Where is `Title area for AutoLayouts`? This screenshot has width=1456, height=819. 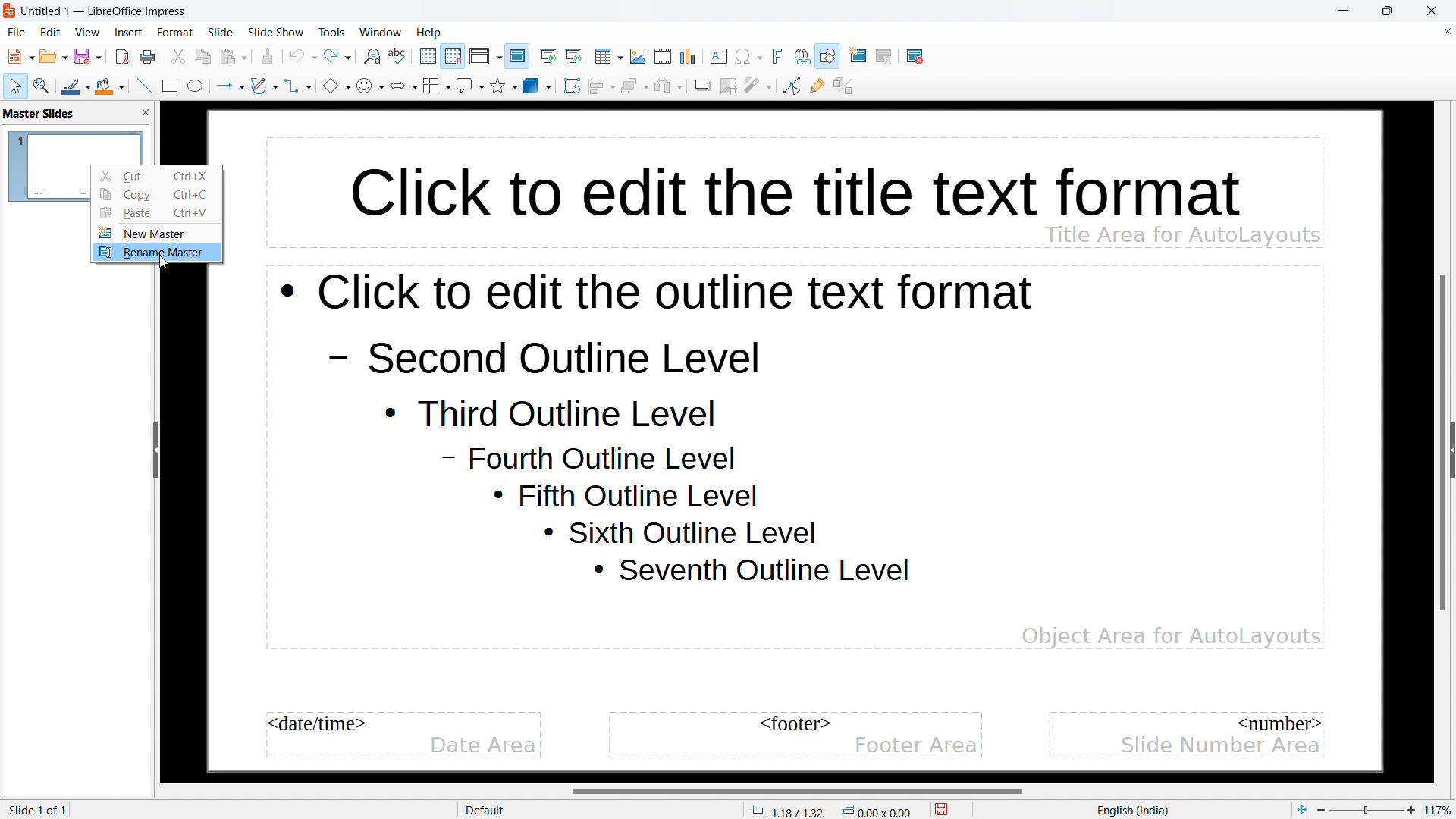 Title area for AutoLayouts is located at coordinates (1182, 234).